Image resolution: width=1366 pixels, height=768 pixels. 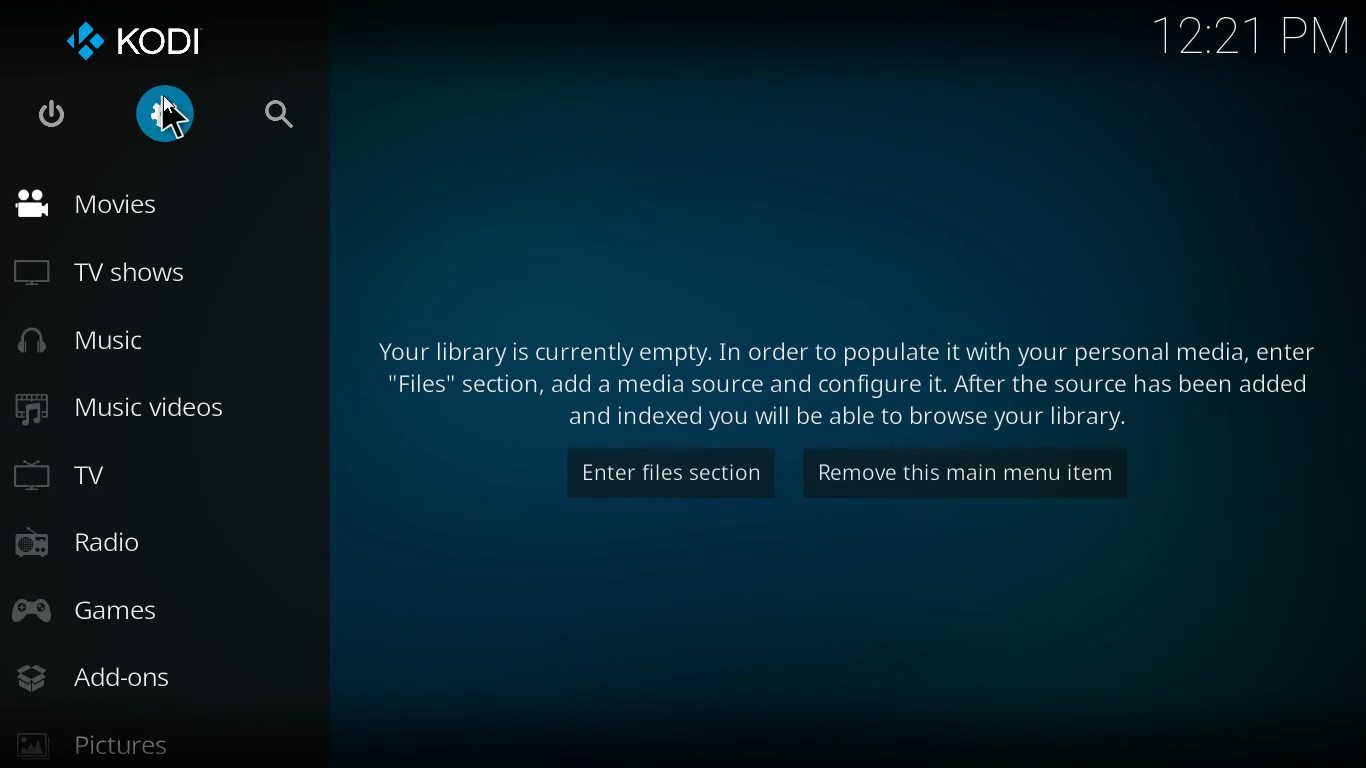 I want to click on settings, so click(x=162, y=118).